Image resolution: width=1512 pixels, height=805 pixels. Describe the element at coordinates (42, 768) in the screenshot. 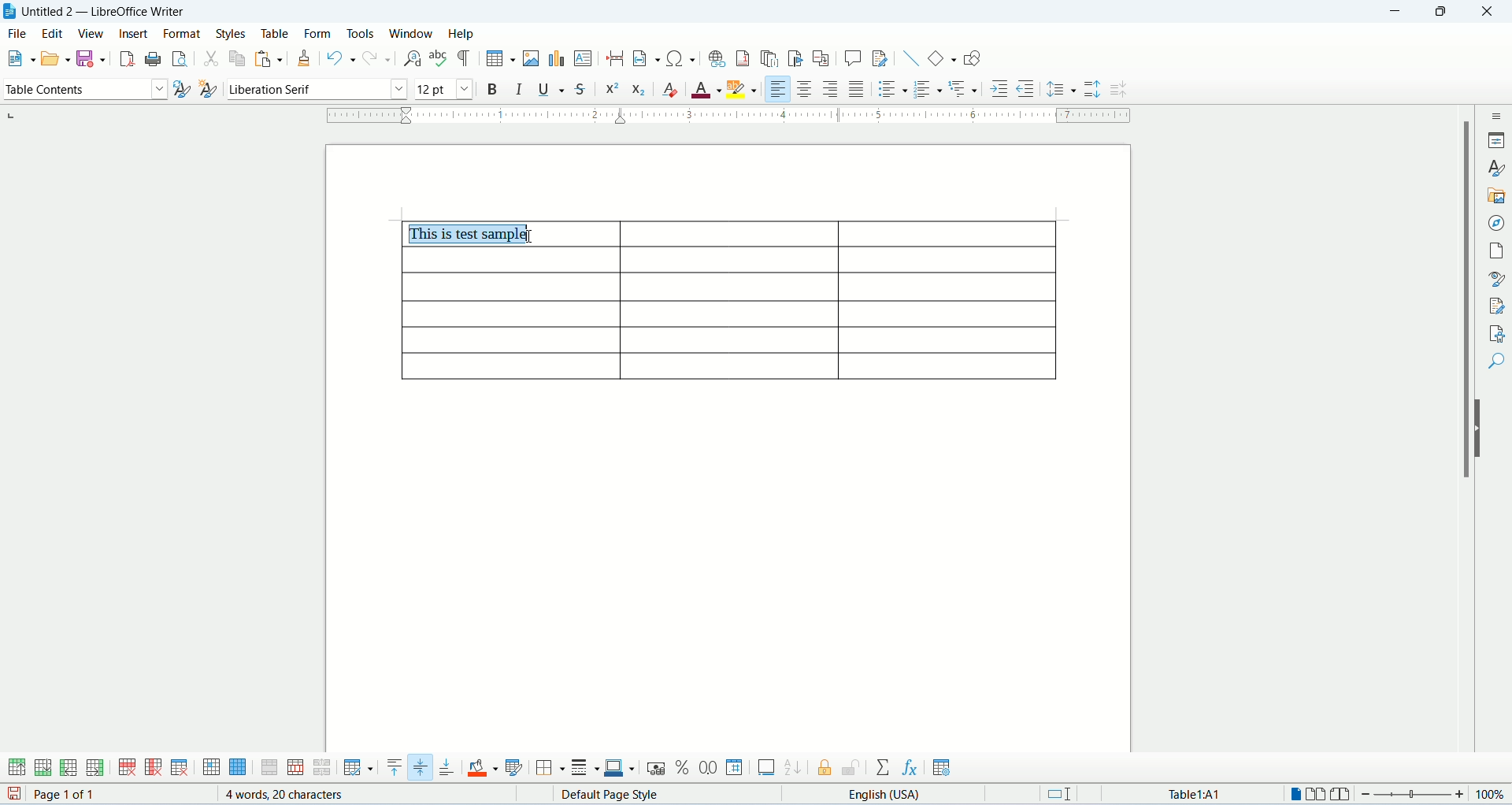

I see `insert rows below` at that location.